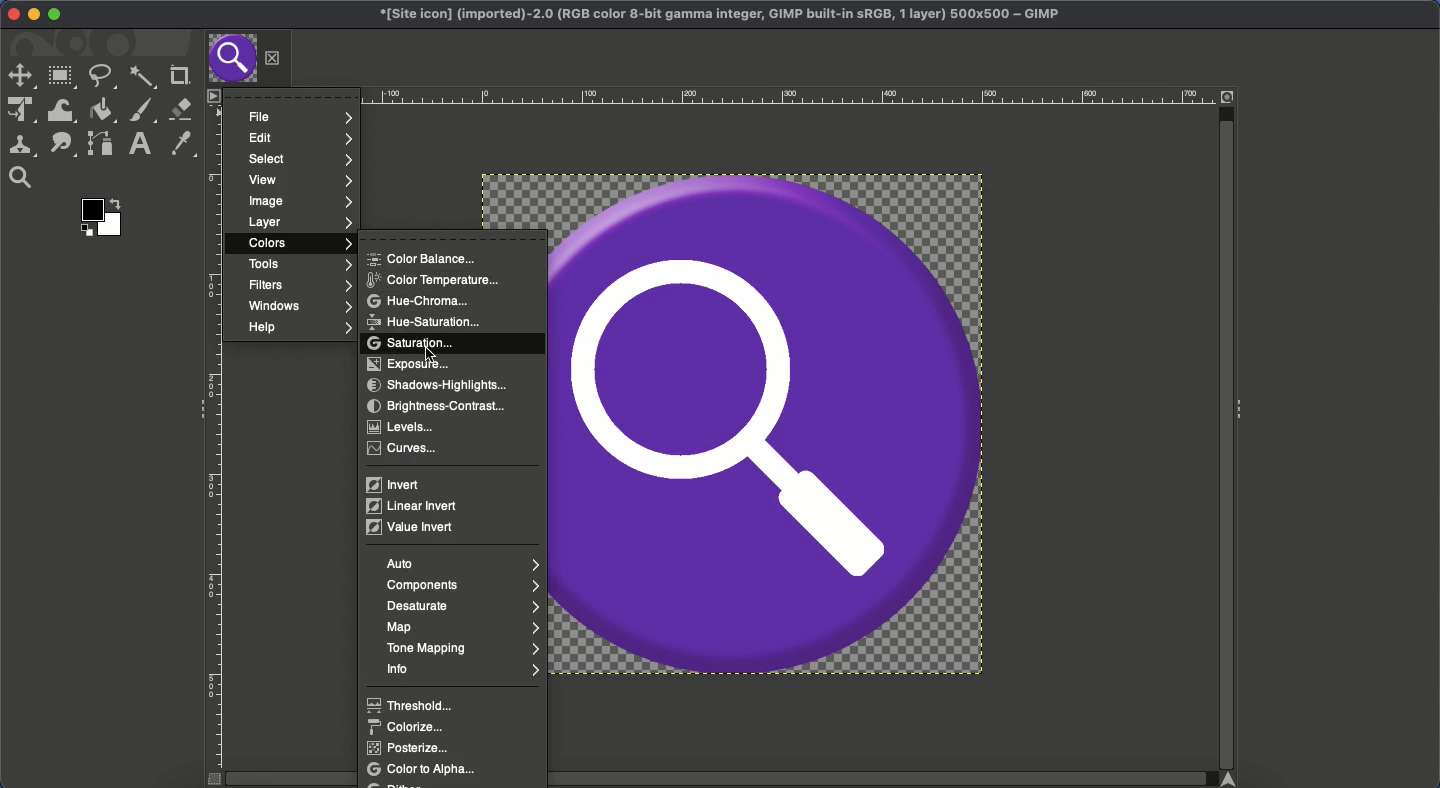 This screenshot has width=1440, height=788. I want to click on Exposure, so click(411, 365).